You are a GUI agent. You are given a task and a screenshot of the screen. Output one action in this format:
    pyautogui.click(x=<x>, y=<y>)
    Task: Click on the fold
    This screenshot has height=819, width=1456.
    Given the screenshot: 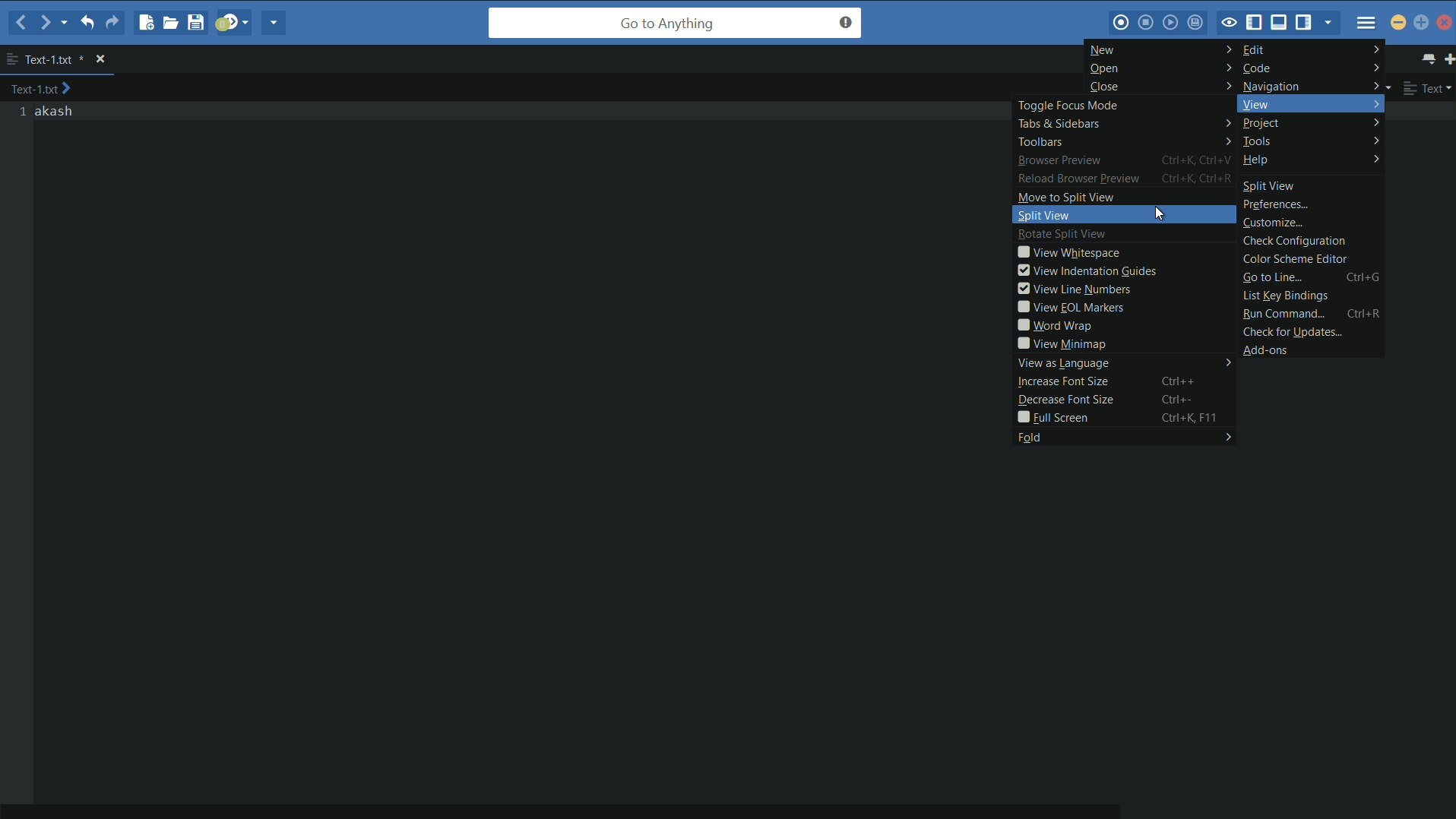 What is the action you would take?
    pyautogui.click(x=1123, y=436)
    